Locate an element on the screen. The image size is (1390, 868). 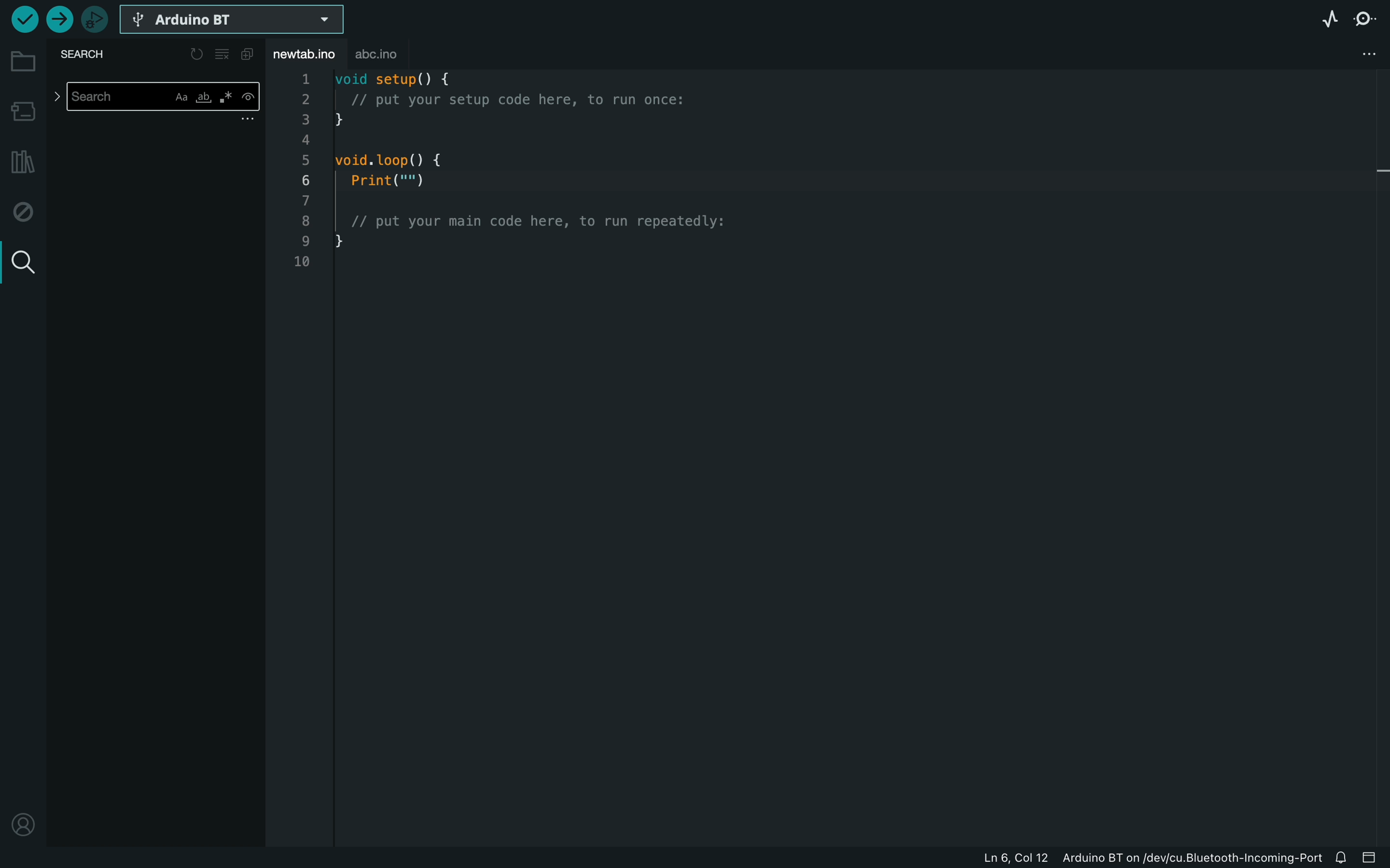
debug is located at coordinates (25, 212).